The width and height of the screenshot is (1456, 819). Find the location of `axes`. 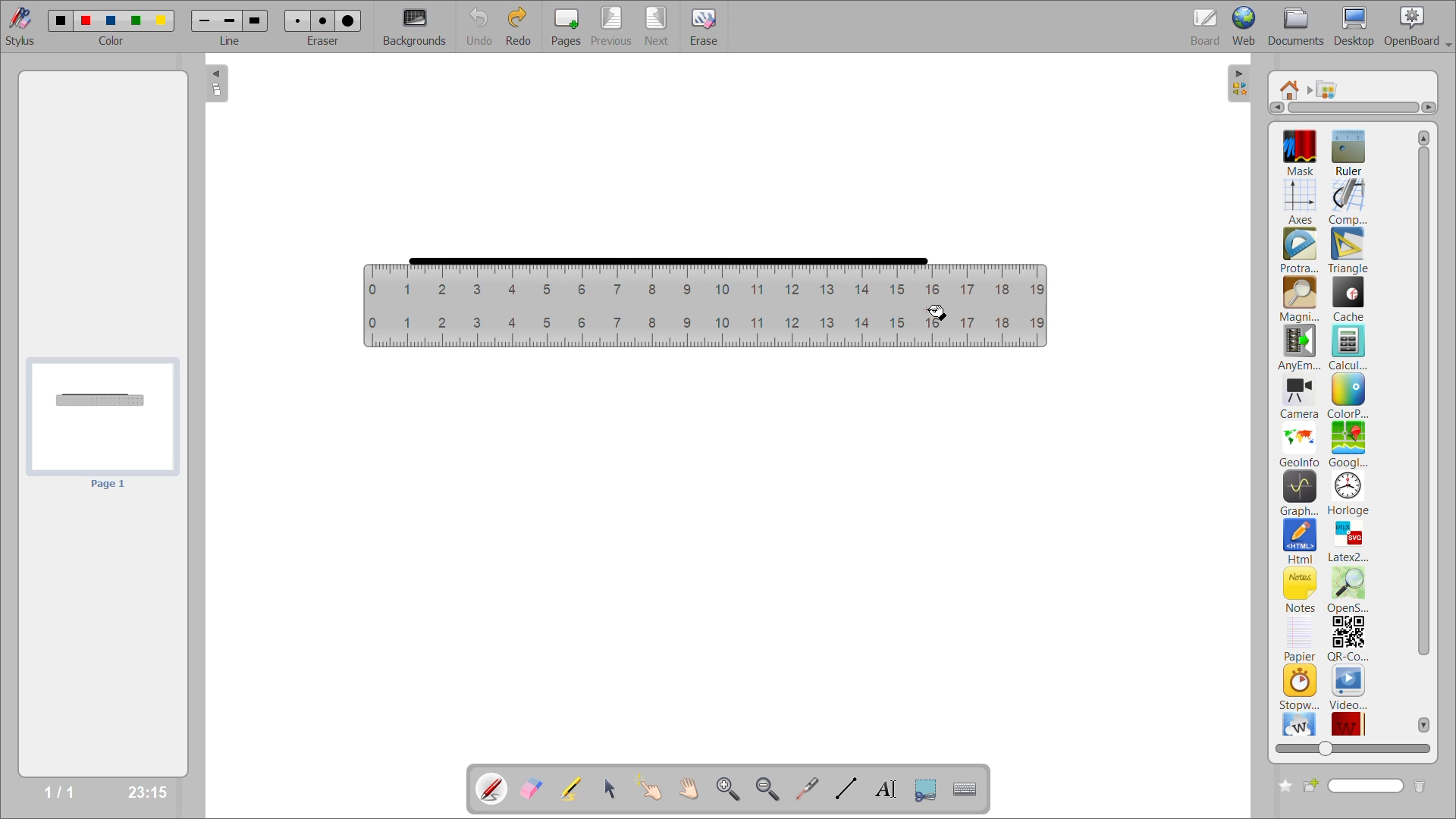

axes is located at coordinates (1303, 199).